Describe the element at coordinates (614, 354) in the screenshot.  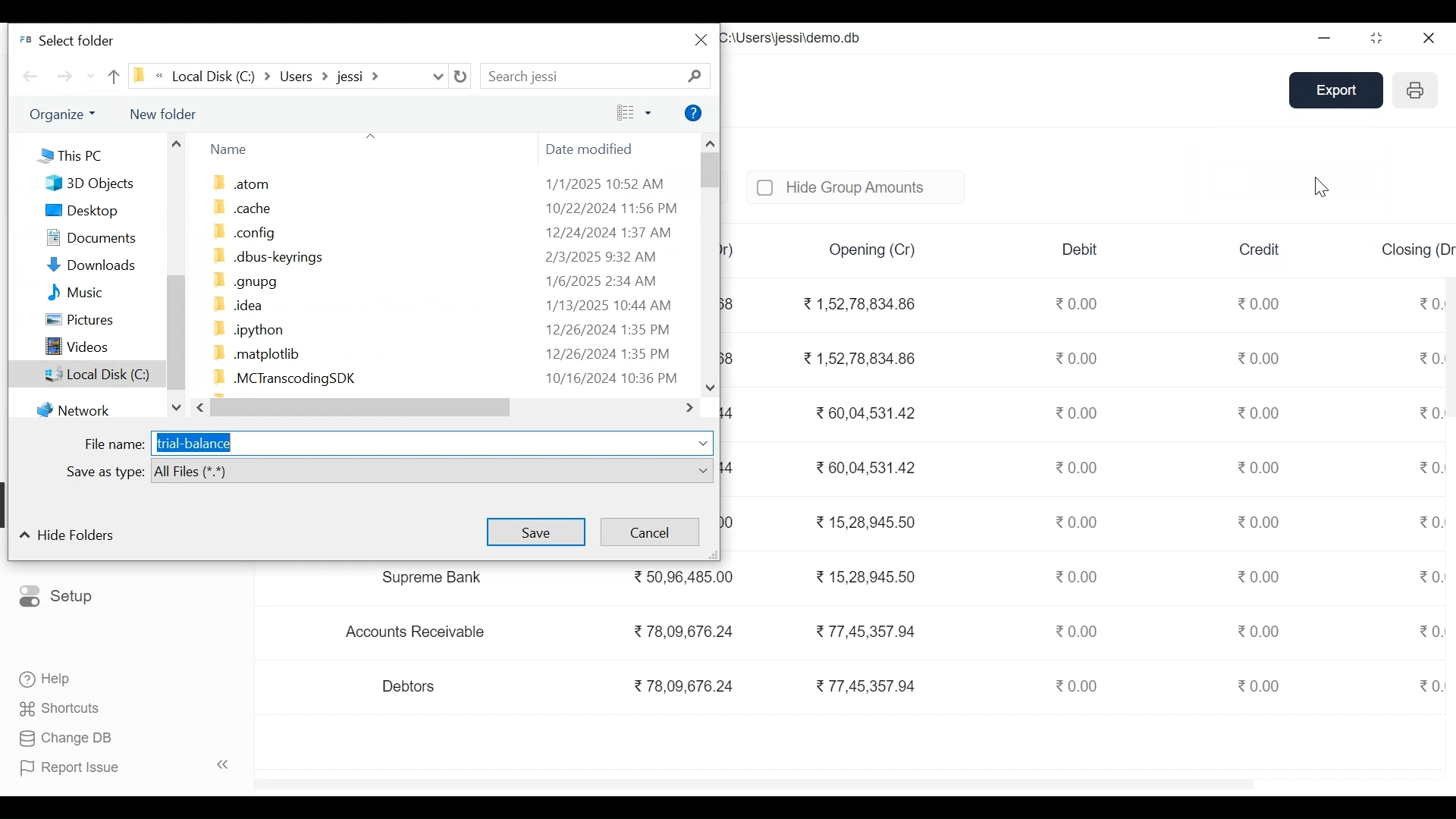
I see `12/26/2024 1:35 PM` at that location.